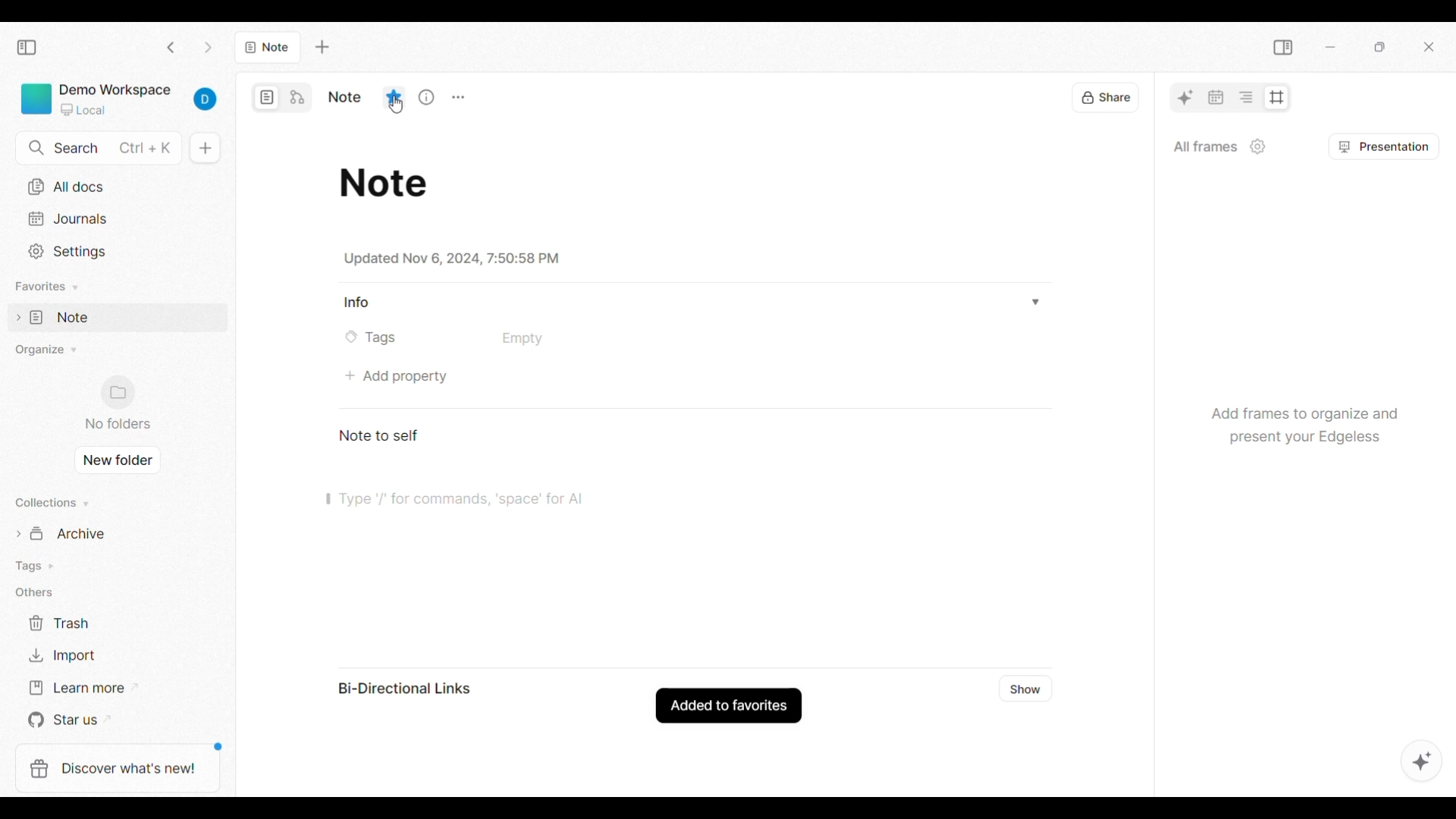 The height and width of the screenshot is (819, 1456). Describe the element at coordinates (120, 100) in the screenshot. I see `Demo Workspace Local` at that location.